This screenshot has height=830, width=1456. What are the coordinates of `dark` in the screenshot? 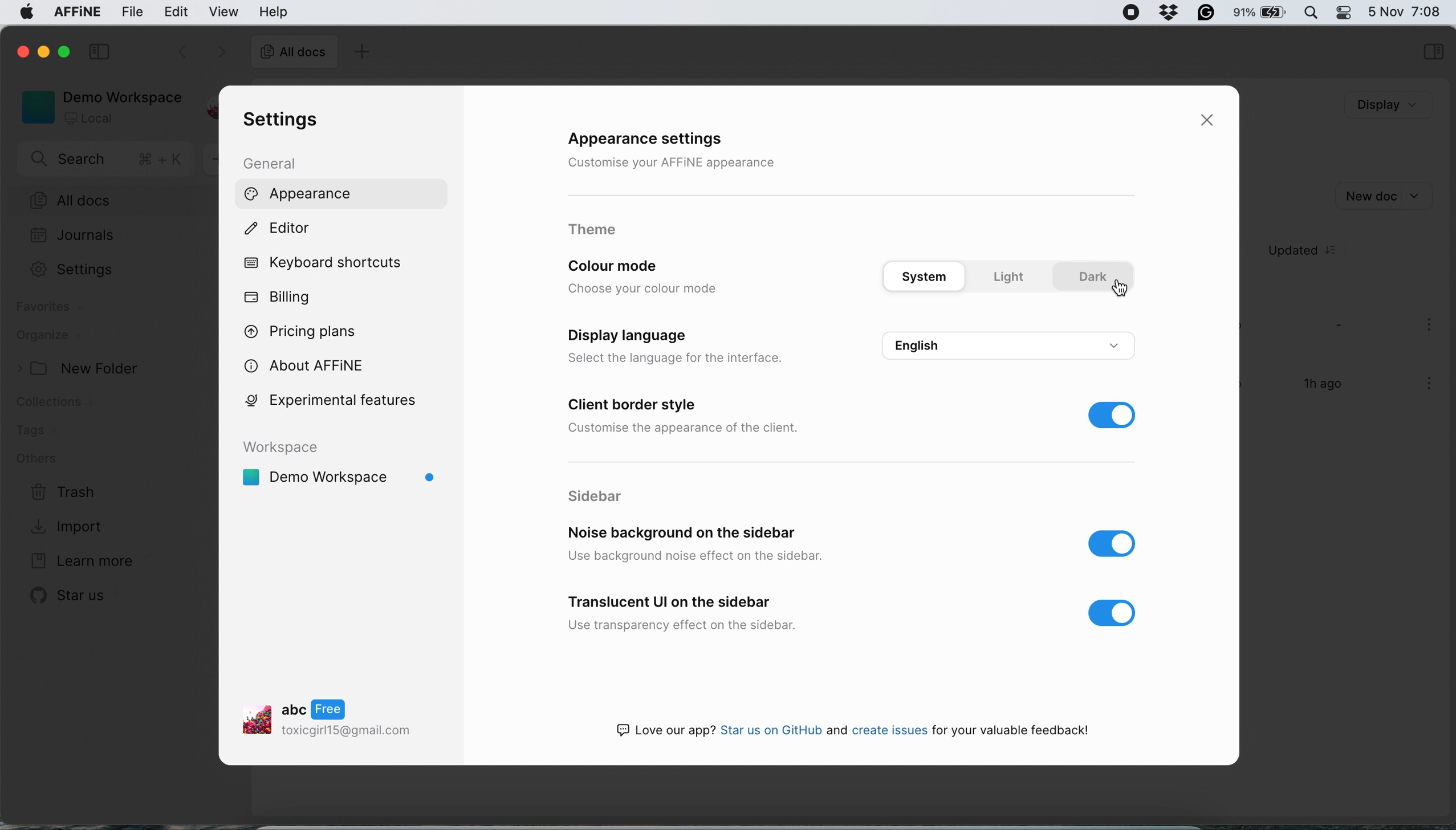 It's located at (1093, 276).